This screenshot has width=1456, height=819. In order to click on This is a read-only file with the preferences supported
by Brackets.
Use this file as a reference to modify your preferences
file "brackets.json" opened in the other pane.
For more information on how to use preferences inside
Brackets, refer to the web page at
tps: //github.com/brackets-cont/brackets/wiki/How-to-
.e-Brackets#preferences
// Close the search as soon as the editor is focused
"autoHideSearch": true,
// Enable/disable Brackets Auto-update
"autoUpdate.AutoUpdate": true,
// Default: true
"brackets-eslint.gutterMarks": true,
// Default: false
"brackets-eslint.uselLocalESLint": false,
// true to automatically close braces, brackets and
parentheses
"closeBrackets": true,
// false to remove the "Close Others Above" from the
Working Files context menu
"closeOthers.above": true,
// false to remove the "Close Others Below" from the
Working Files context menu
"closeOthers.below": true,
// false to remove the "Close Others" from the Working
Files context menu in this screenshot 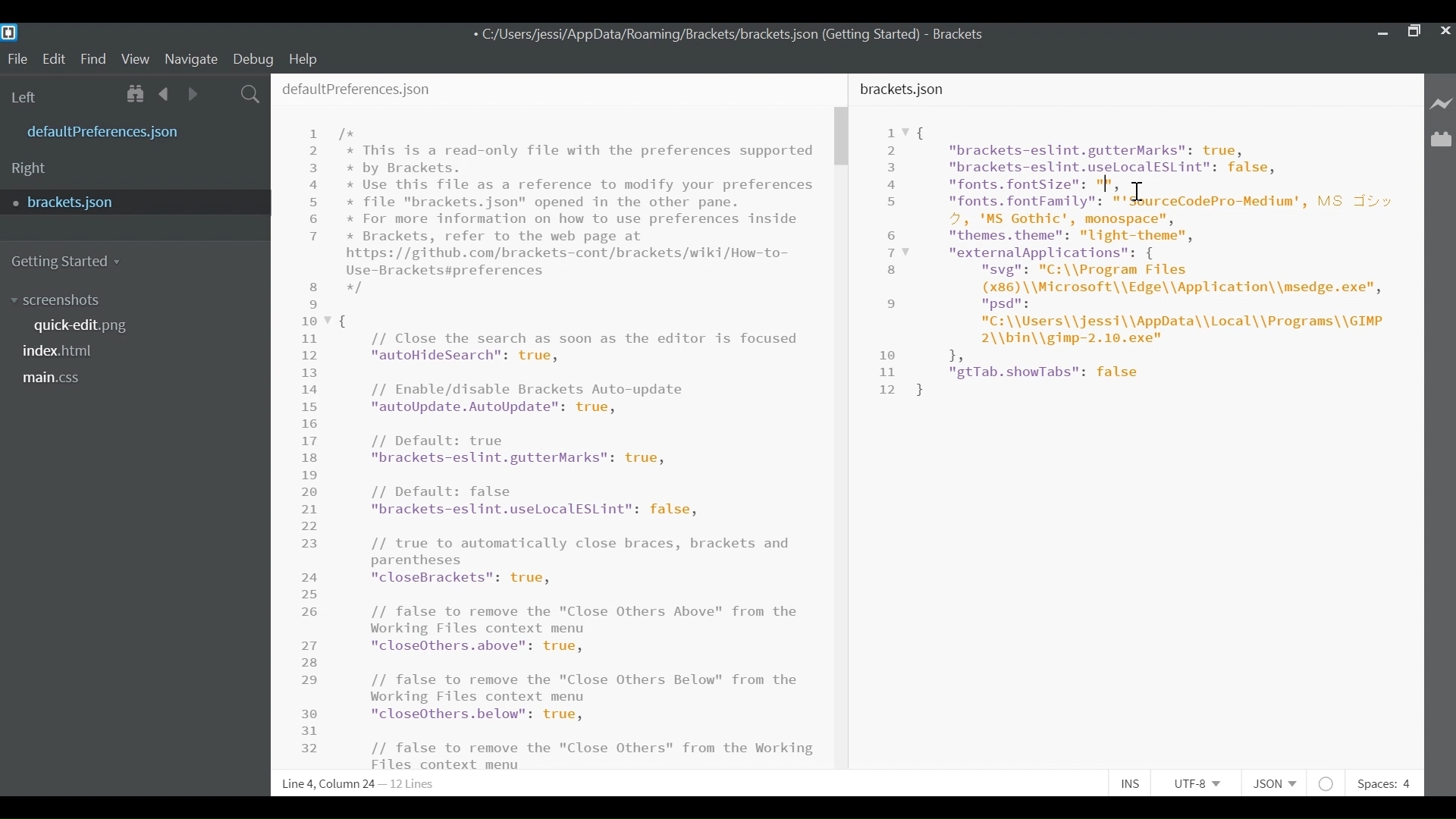, I will do `click(580, 447)`.